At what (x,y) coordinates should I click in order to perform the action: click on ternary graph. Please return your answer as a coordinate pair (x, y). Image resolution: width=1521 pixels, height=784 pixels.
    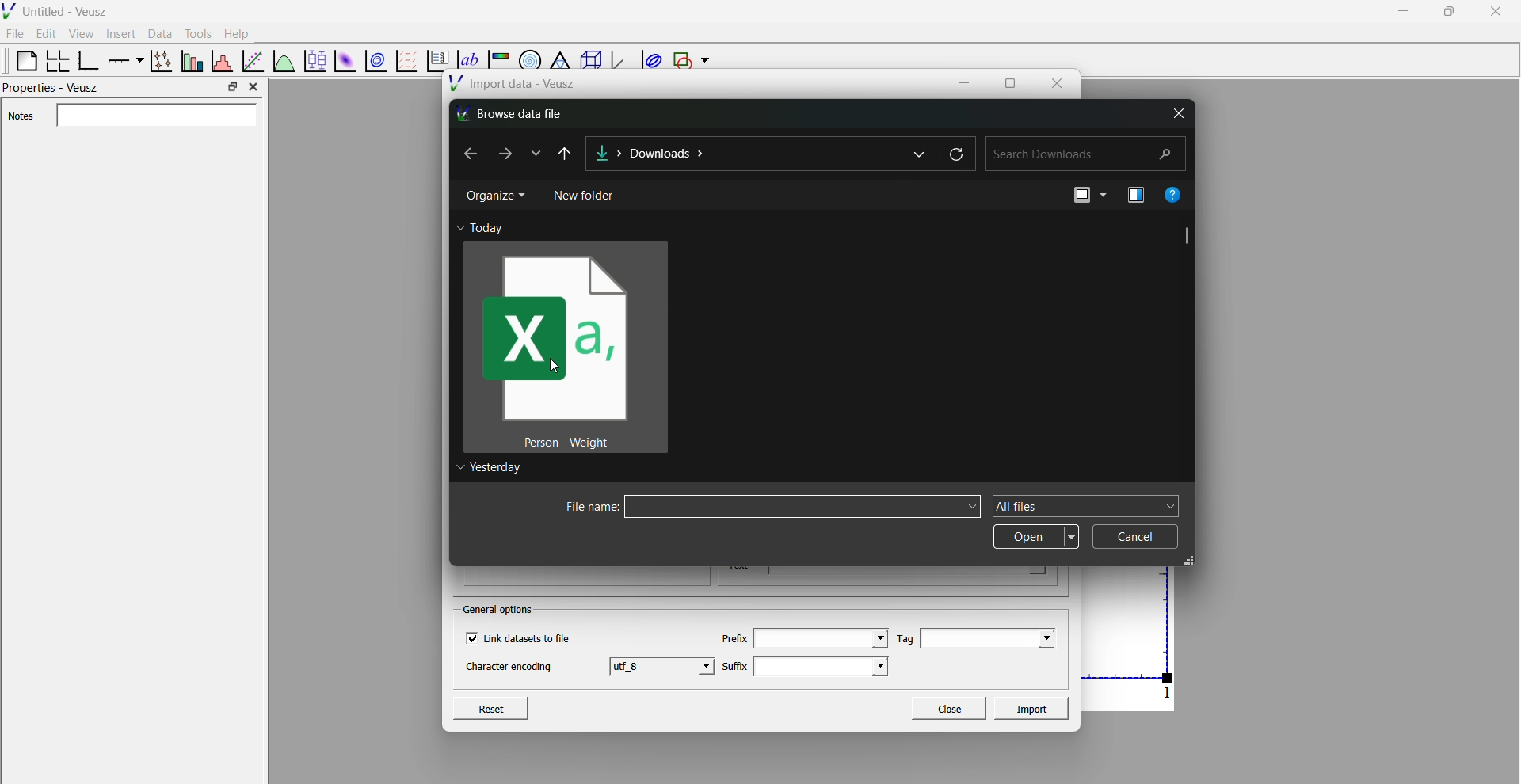
    Looking at the image, I should click on (558, 54).